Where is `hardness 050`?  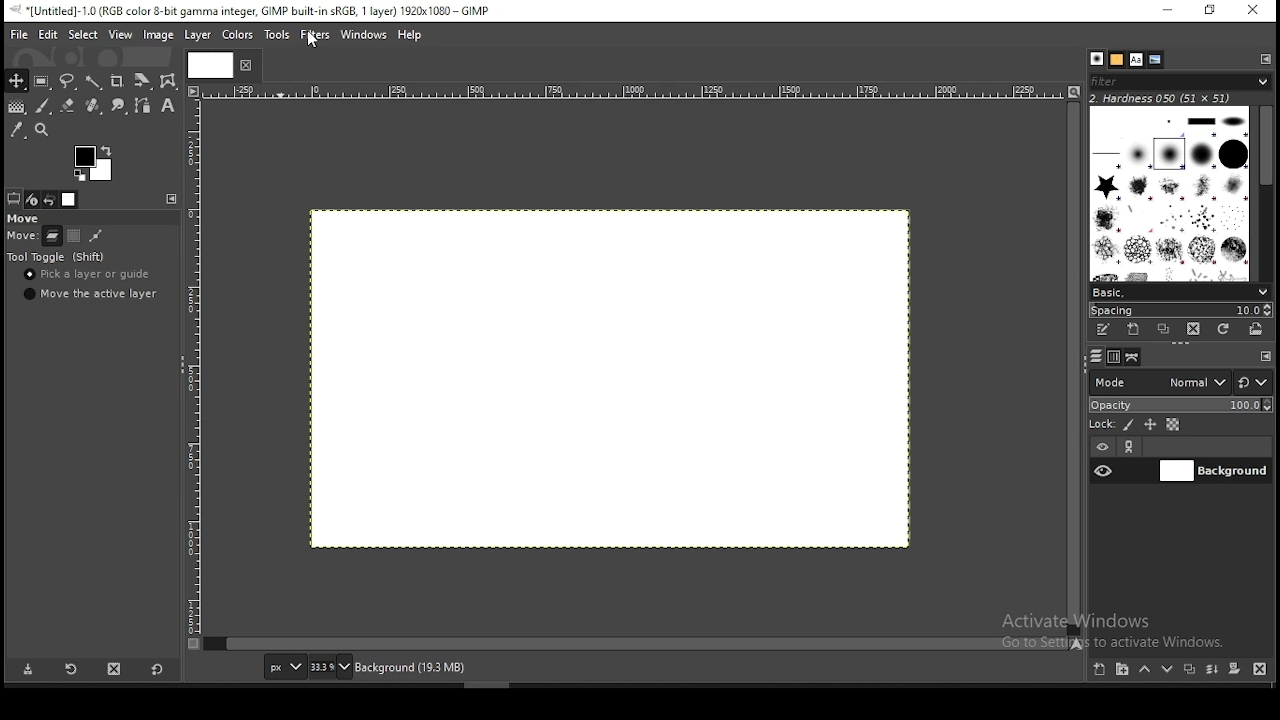
hardness 050 is located at coordinates (1162, 99).